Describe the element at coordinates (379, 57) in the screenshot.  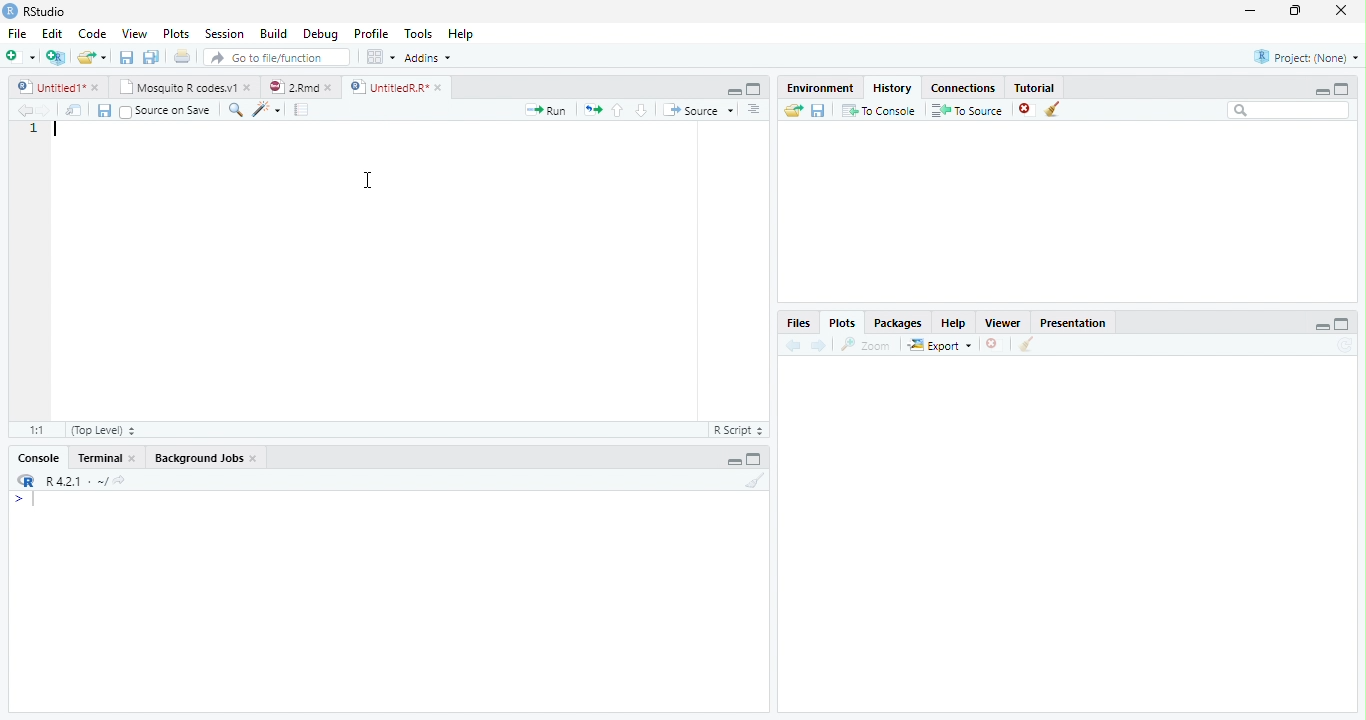
I see `wrokspace pan` at that location.